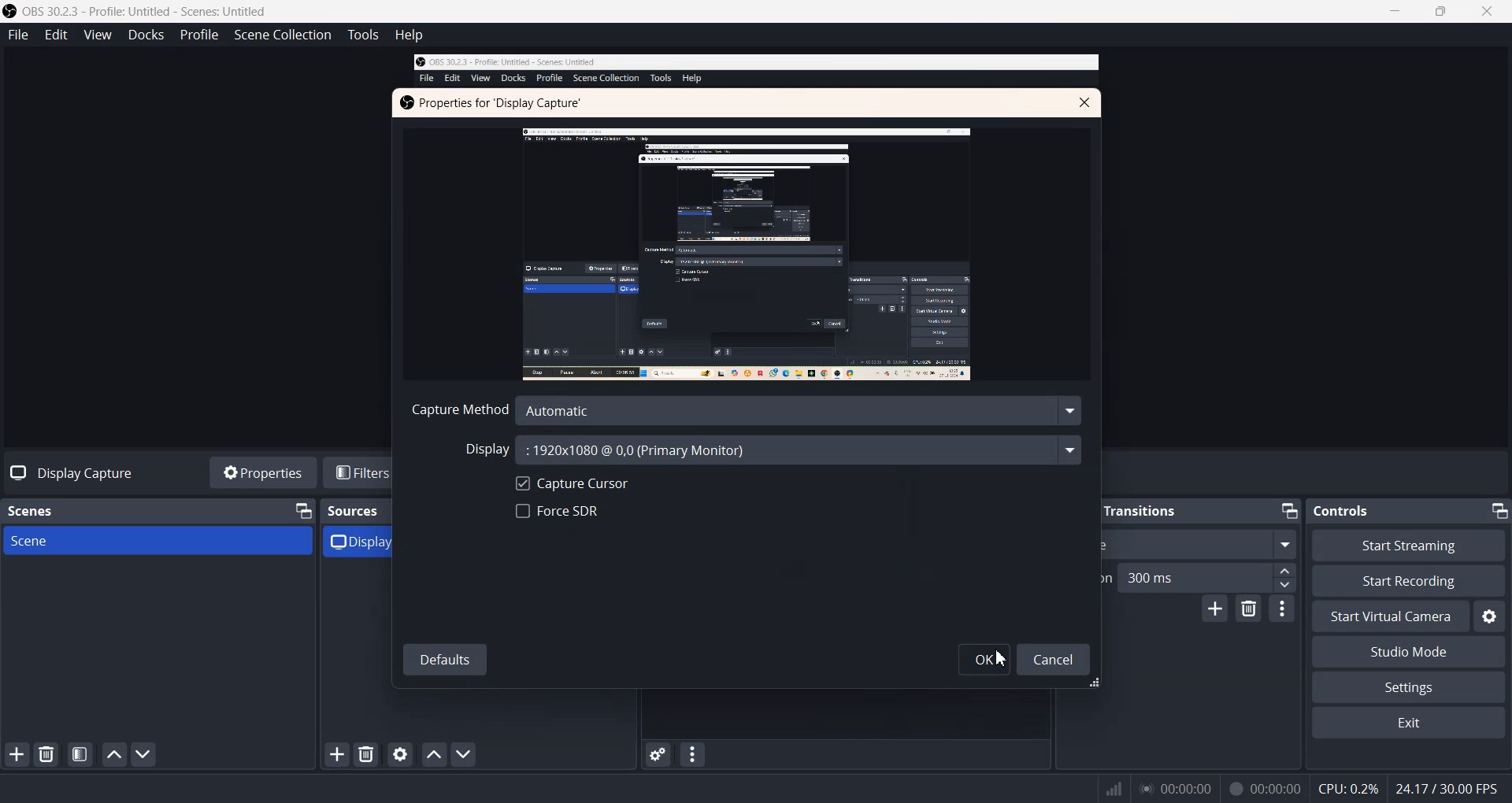  Describe the element at coordinates (1040, 511) in the screenshot. I see `Minimize` at that location.